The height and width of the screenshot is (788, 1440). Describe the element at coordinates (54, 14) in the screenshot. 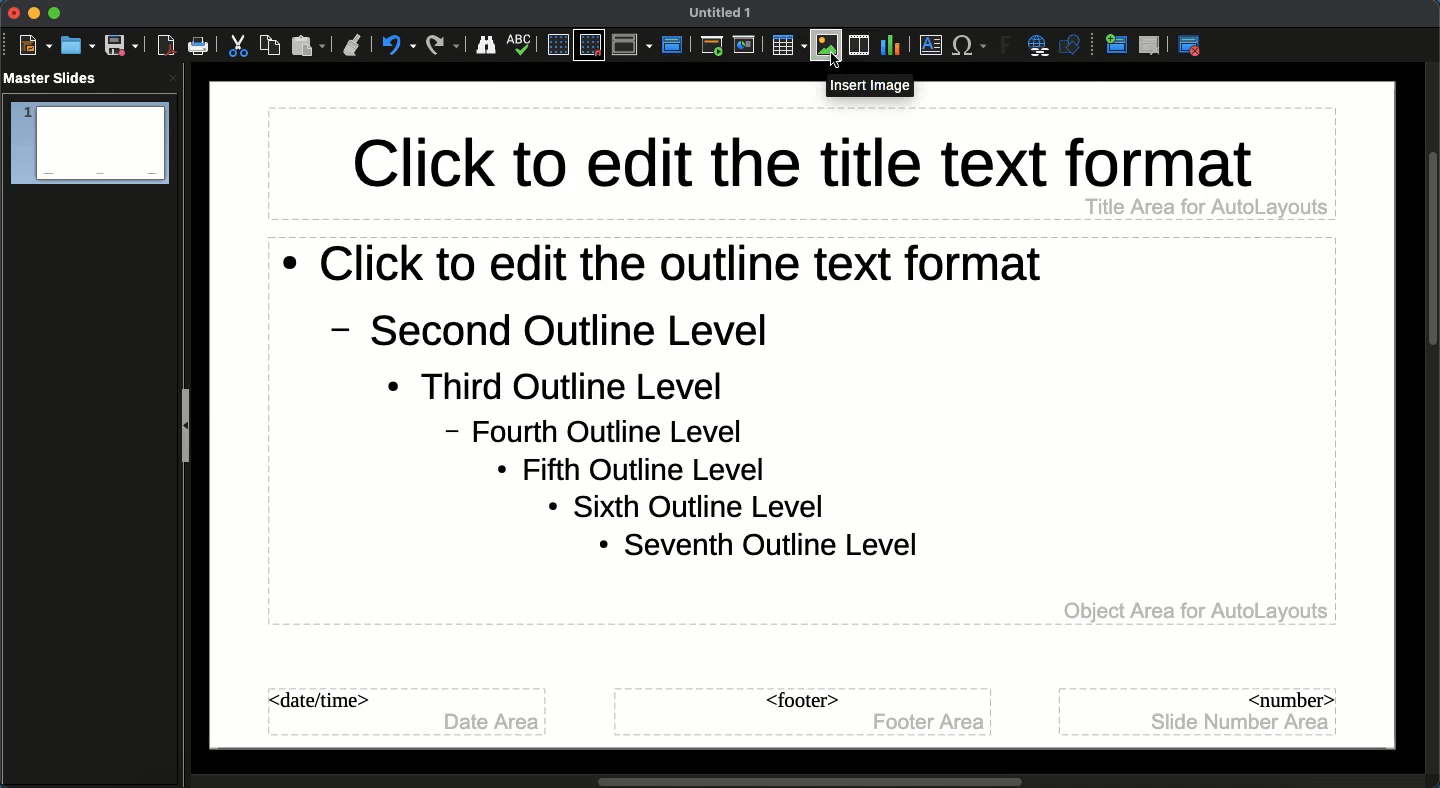

I see `Maximize` at that location.